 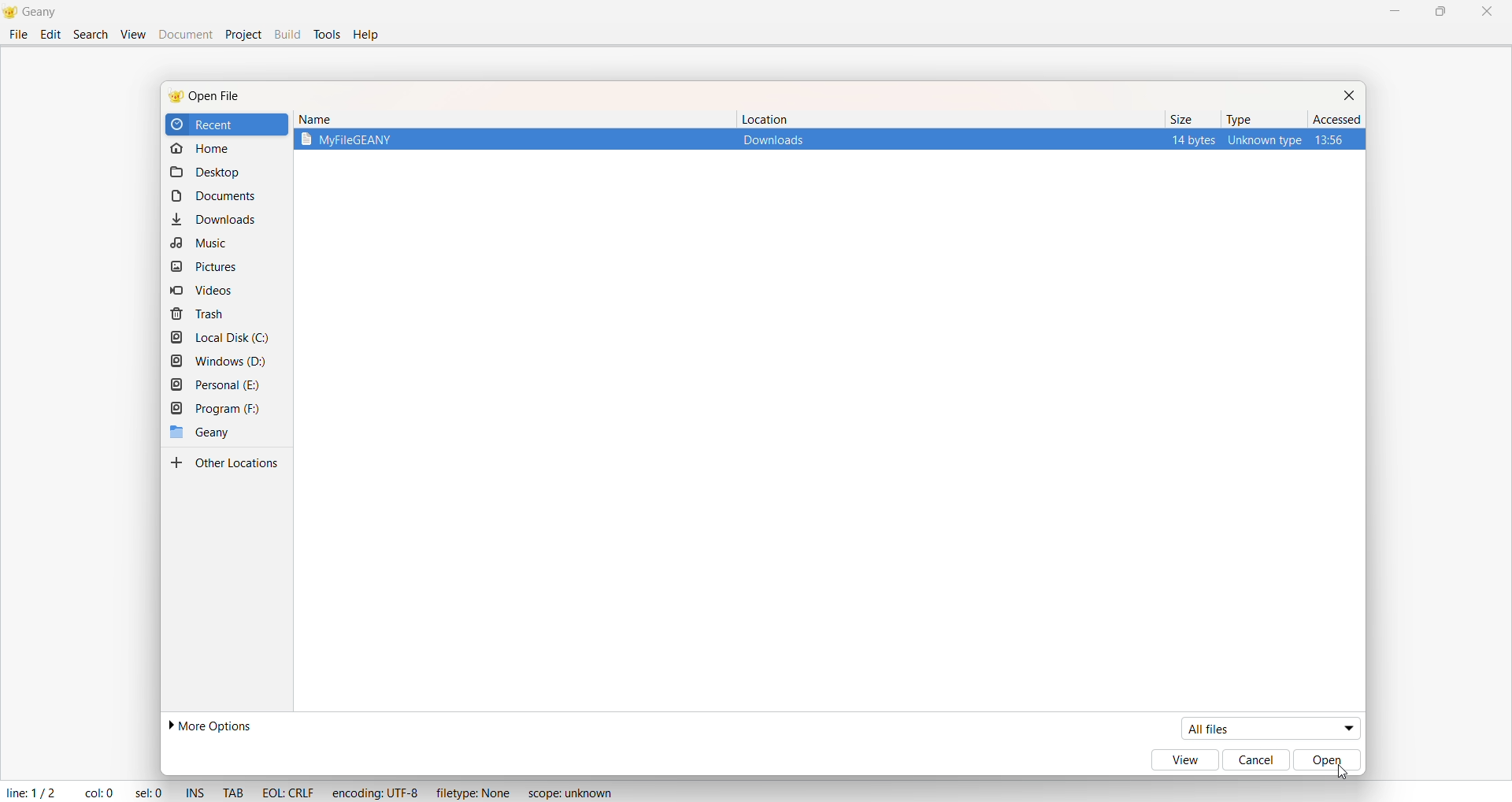 I want to click on cancel, so click(x=1256, y=760).